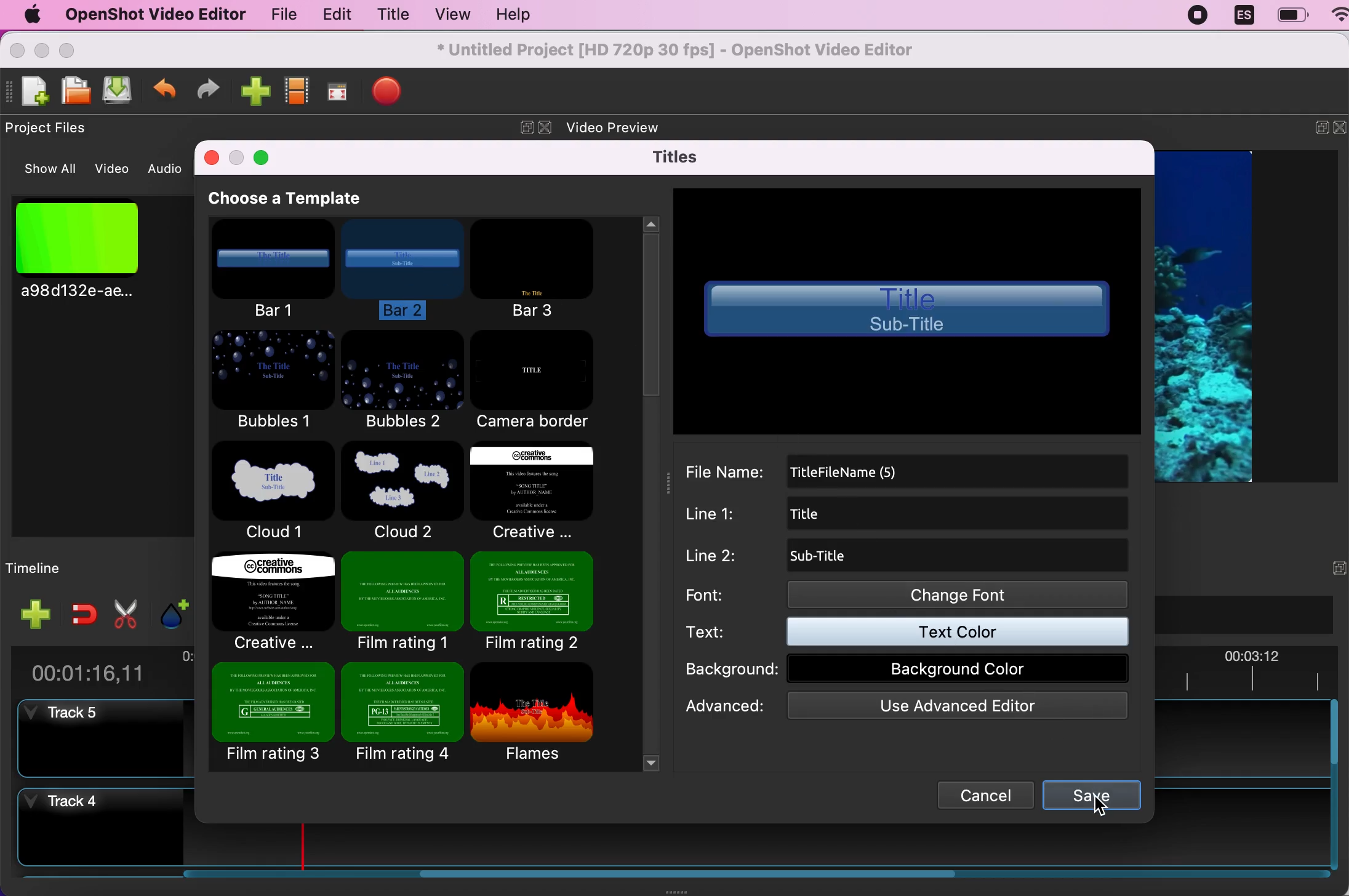 The height and width of the screenshot is (896, 1349). I want to click on cancel, so click(984, 794).